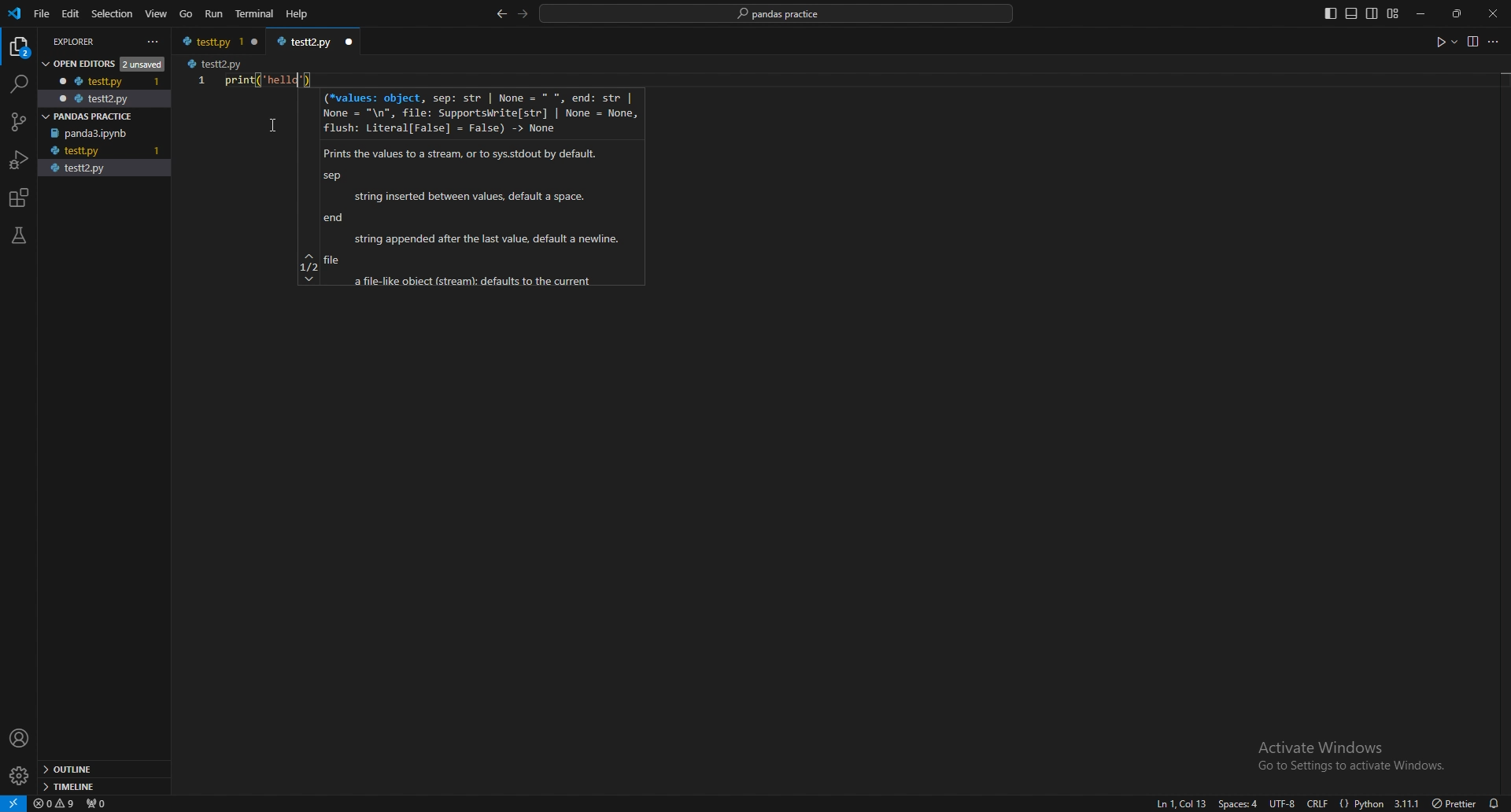 The height and width of the screenshot is (812, 1511). Describe the element at coordinates (256, 41) in the screenshot. I see `close window` at that location.